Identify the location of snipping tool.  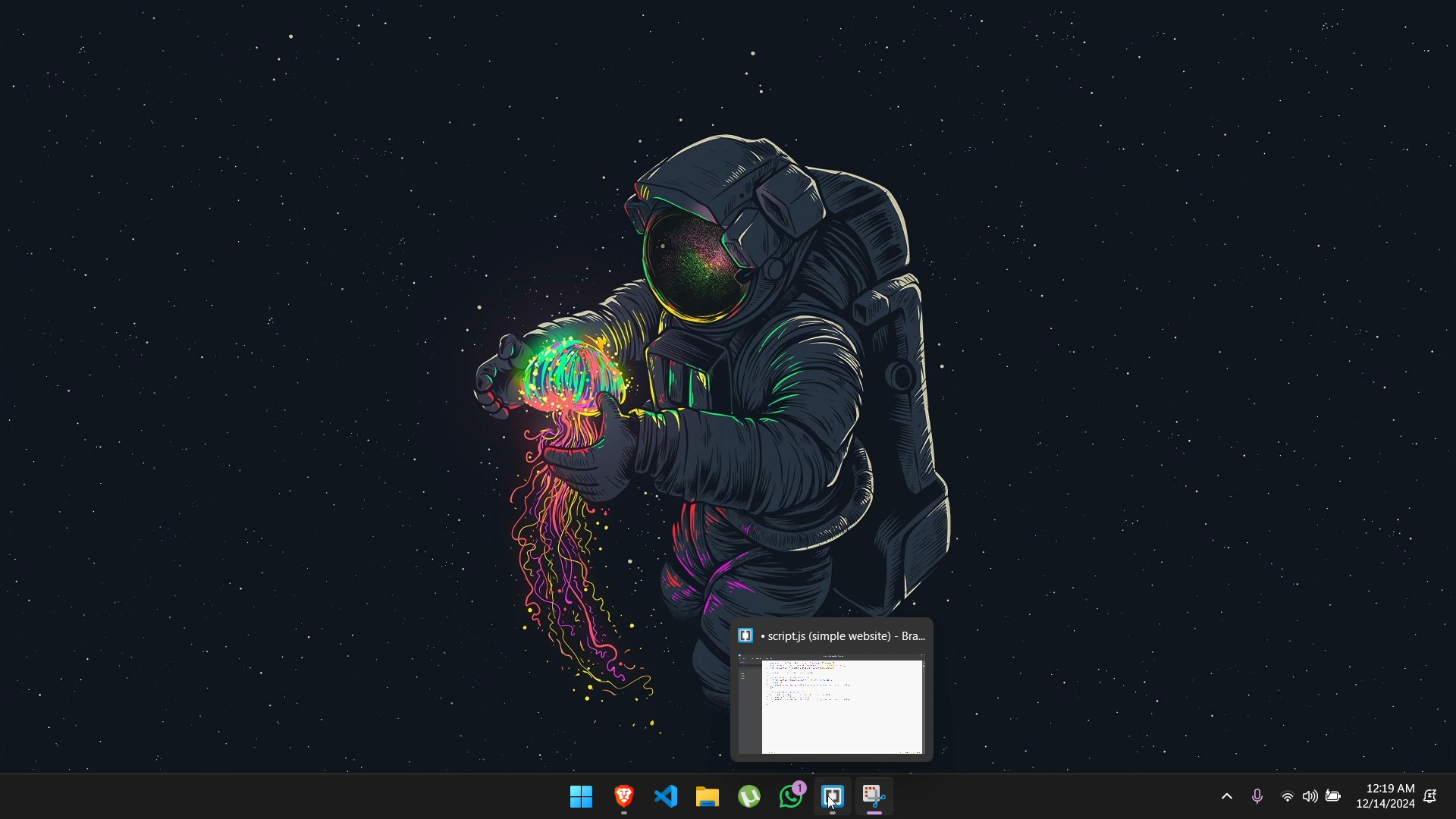
(874, 799).